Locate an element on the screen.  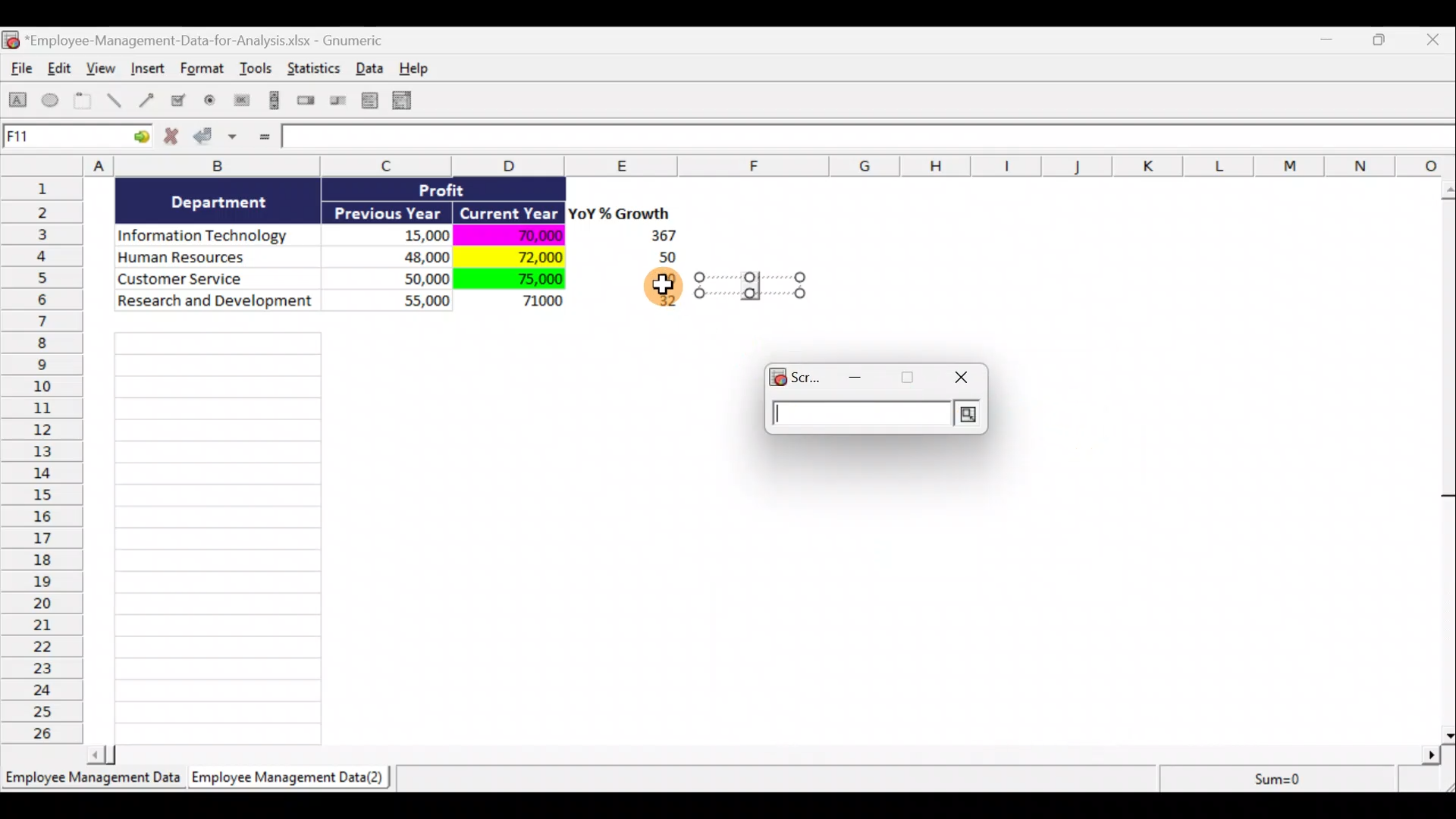
minimize is located at coordinates (858, 375).